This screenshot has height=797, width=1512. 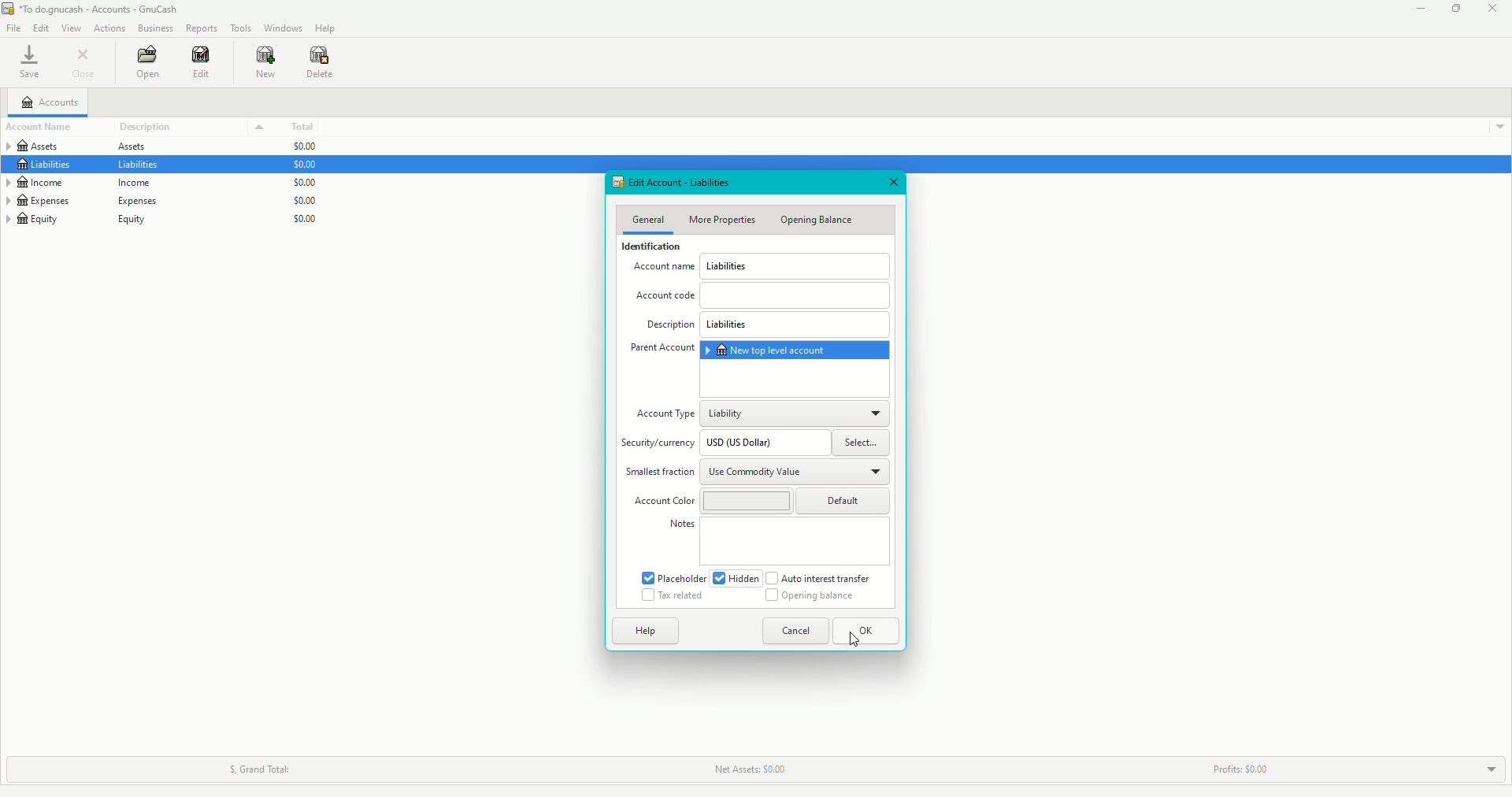 I want to click on View, so click(x=74, y=28).